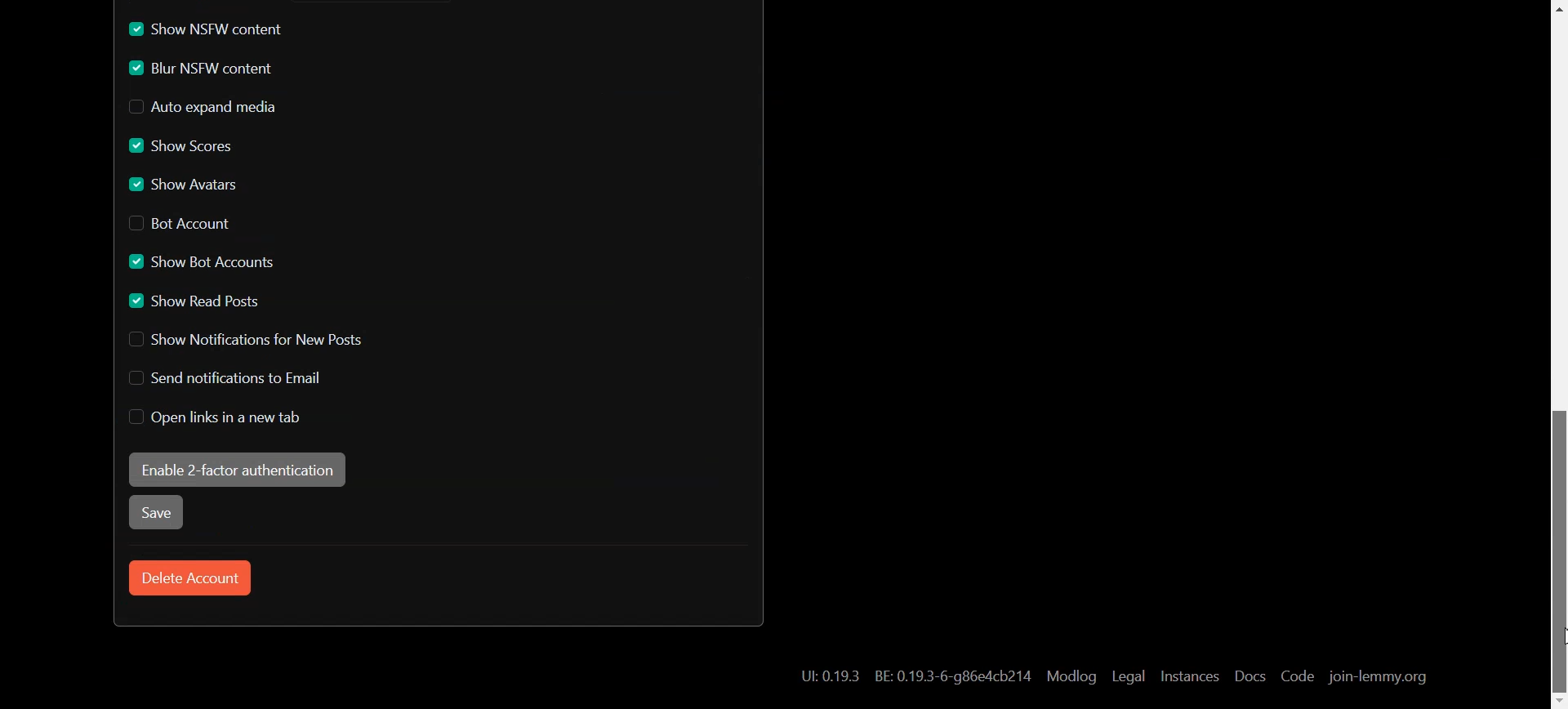  Describe the element at coordinates (1071, 676) in the screenshot. I see `Modlog` at that location.